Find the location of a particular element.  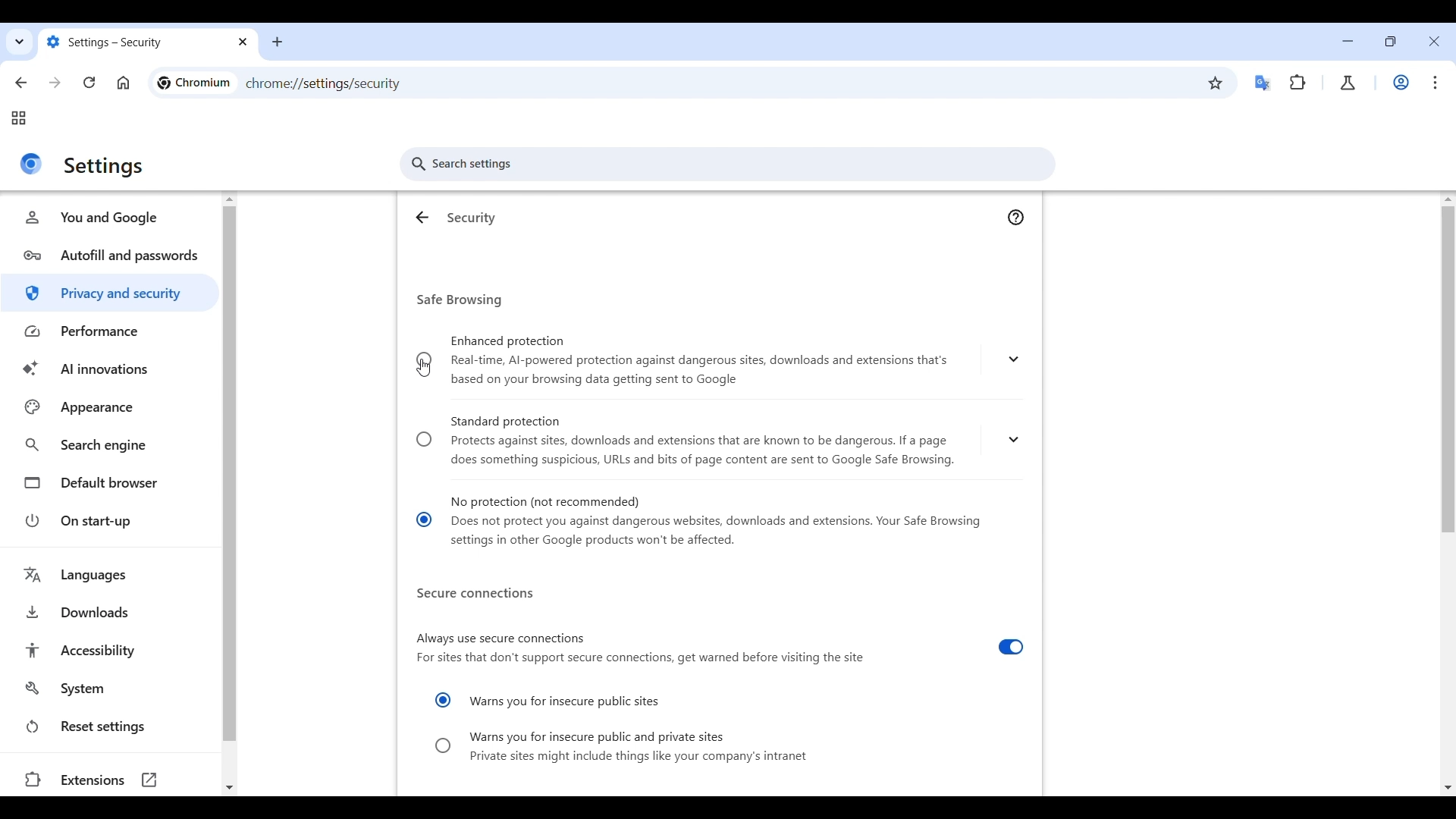

AI innovations is located at coordinates (111, 369).